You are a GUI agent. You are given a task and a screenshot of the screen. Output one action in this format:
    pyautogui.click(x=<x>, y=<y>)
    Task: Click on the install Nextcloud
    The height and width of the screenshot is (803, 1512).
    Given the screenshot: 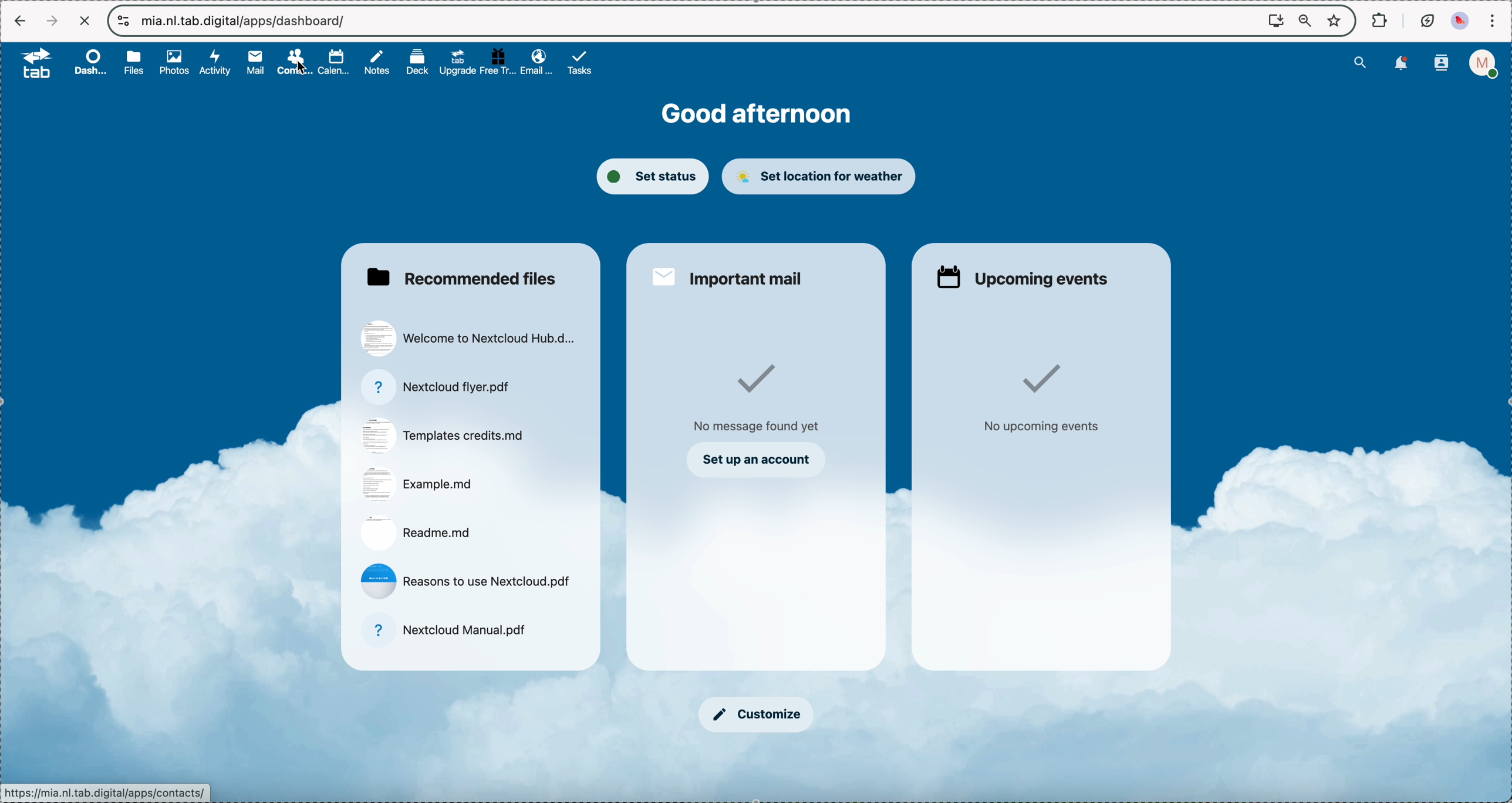 What is the action you would take?
    pyautogui.click(x=1275, y=21)
    